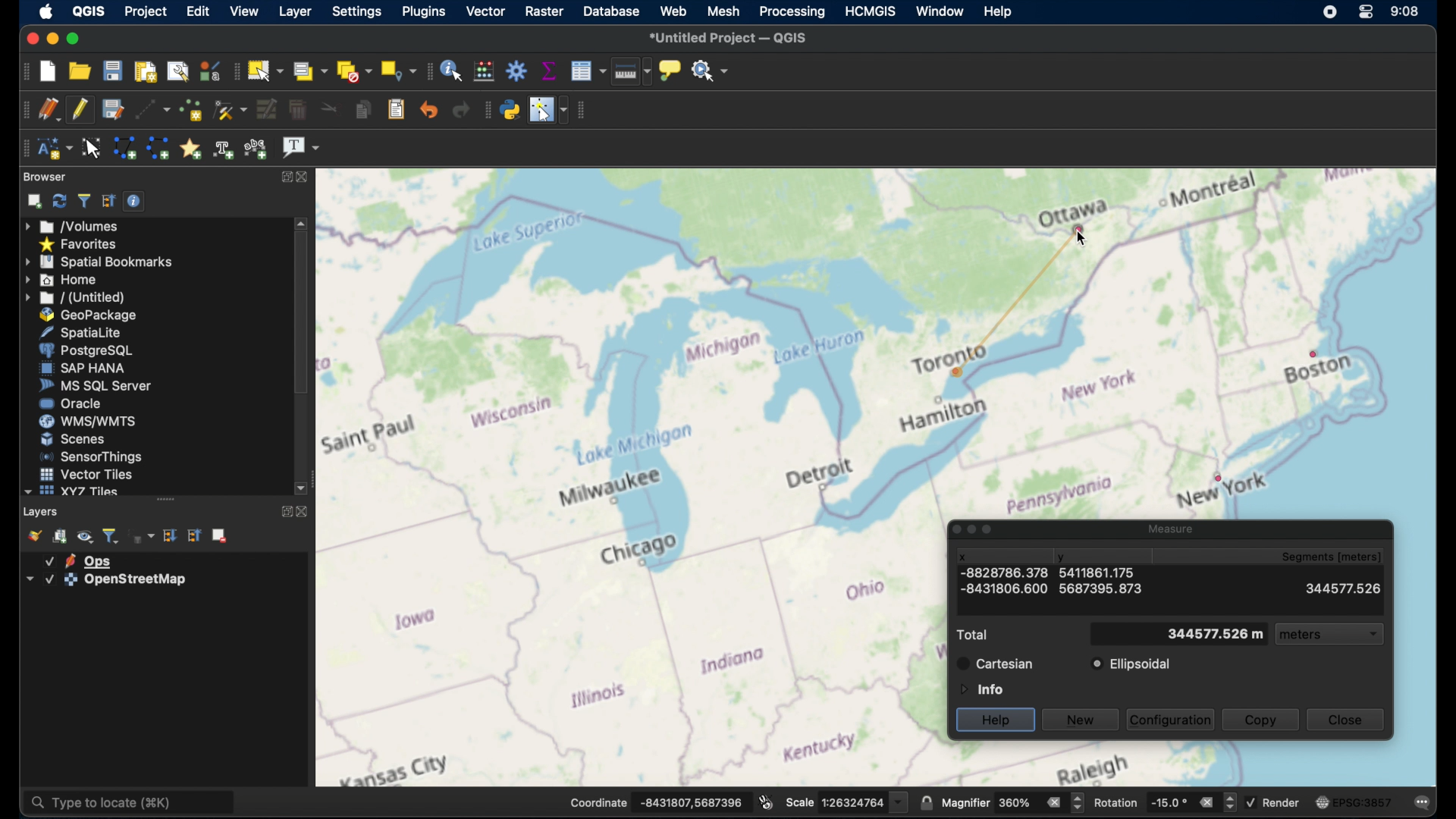 The width and height of the screenshot is (1456, 819). Describe the element at coordinates (302, 223) in the screenshot. I see `scroll up arrow` at that location.